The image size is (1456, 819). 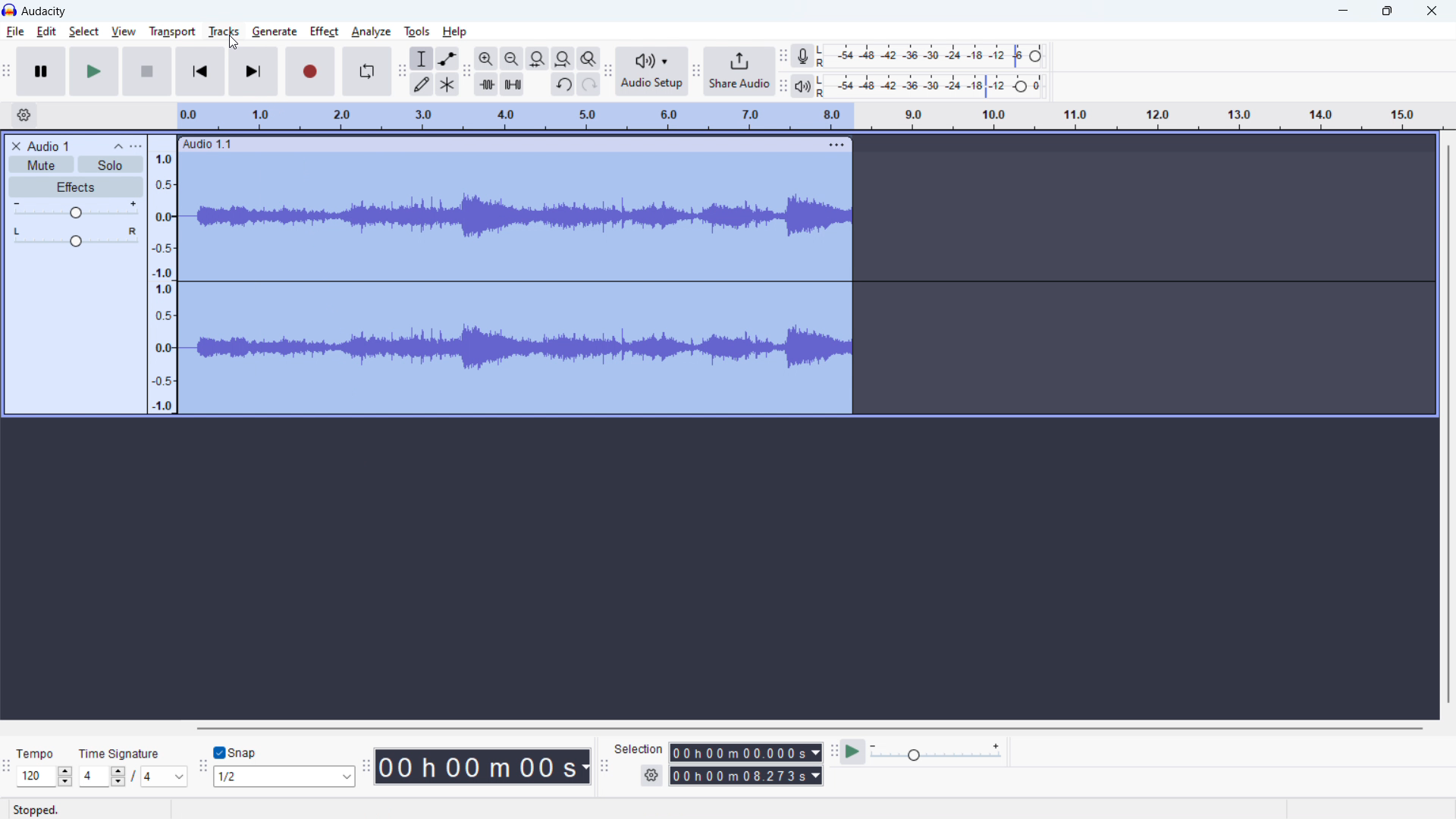 I want to click on multi tool, so click(x=447, y=83).